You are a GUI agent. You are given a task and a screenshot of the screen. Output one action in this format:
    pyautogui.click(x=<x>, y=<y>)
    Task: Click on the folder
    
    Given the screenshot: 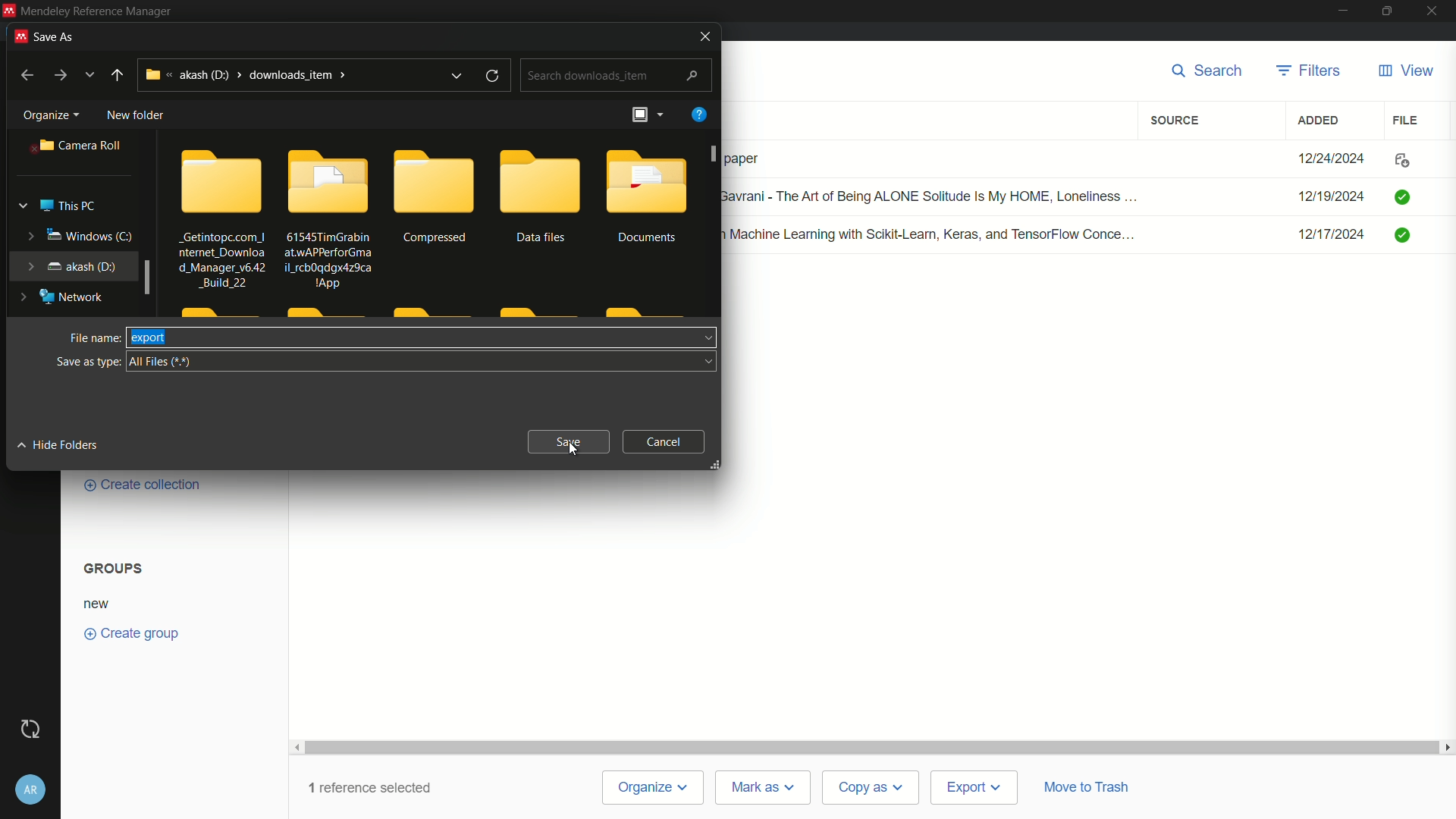 What is the action you would take?
    pyautogui.click(x=223, y=180)
    